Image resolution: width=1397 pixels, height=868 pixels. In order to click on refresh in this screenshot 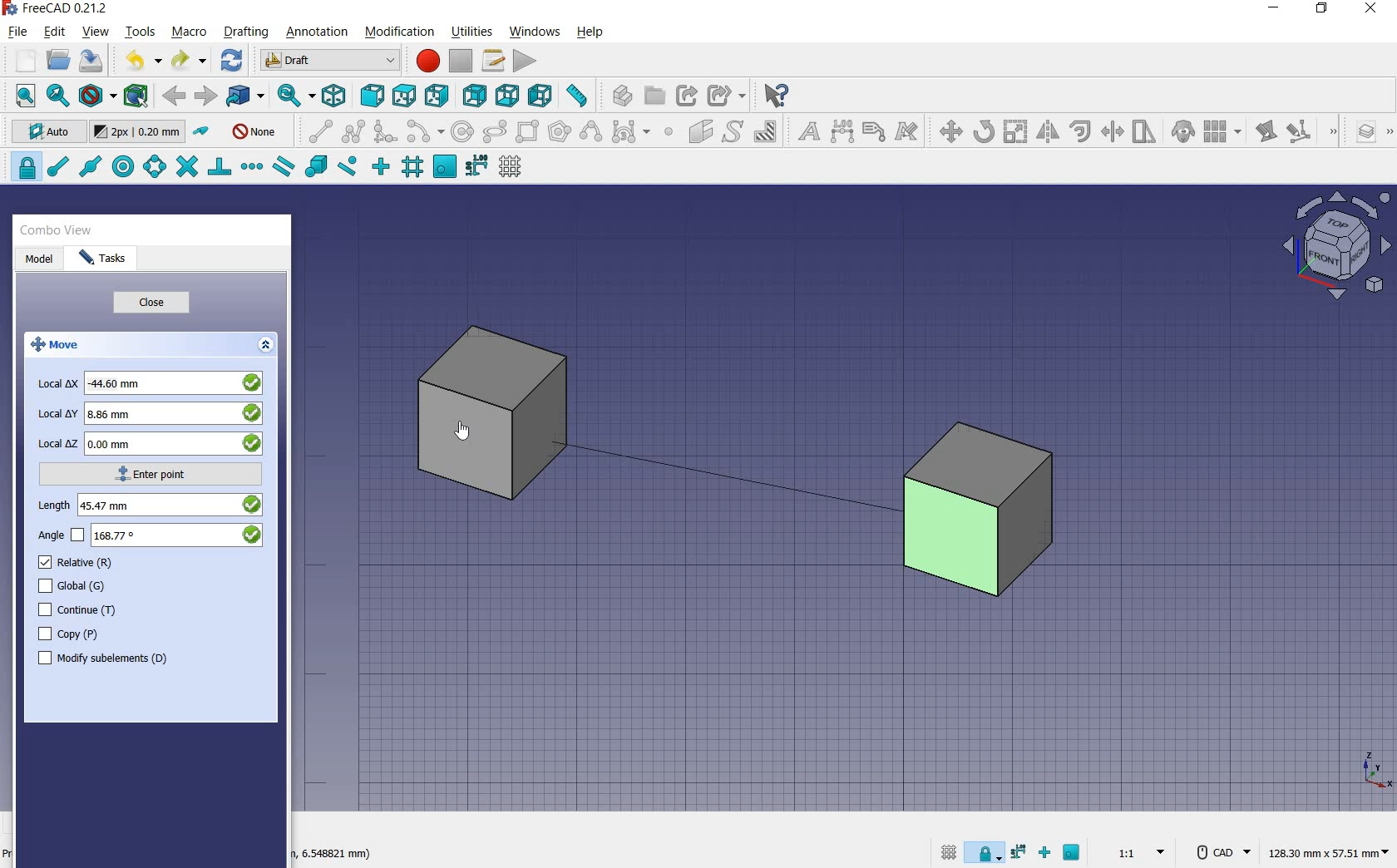, I will do `click(232, 61)`.